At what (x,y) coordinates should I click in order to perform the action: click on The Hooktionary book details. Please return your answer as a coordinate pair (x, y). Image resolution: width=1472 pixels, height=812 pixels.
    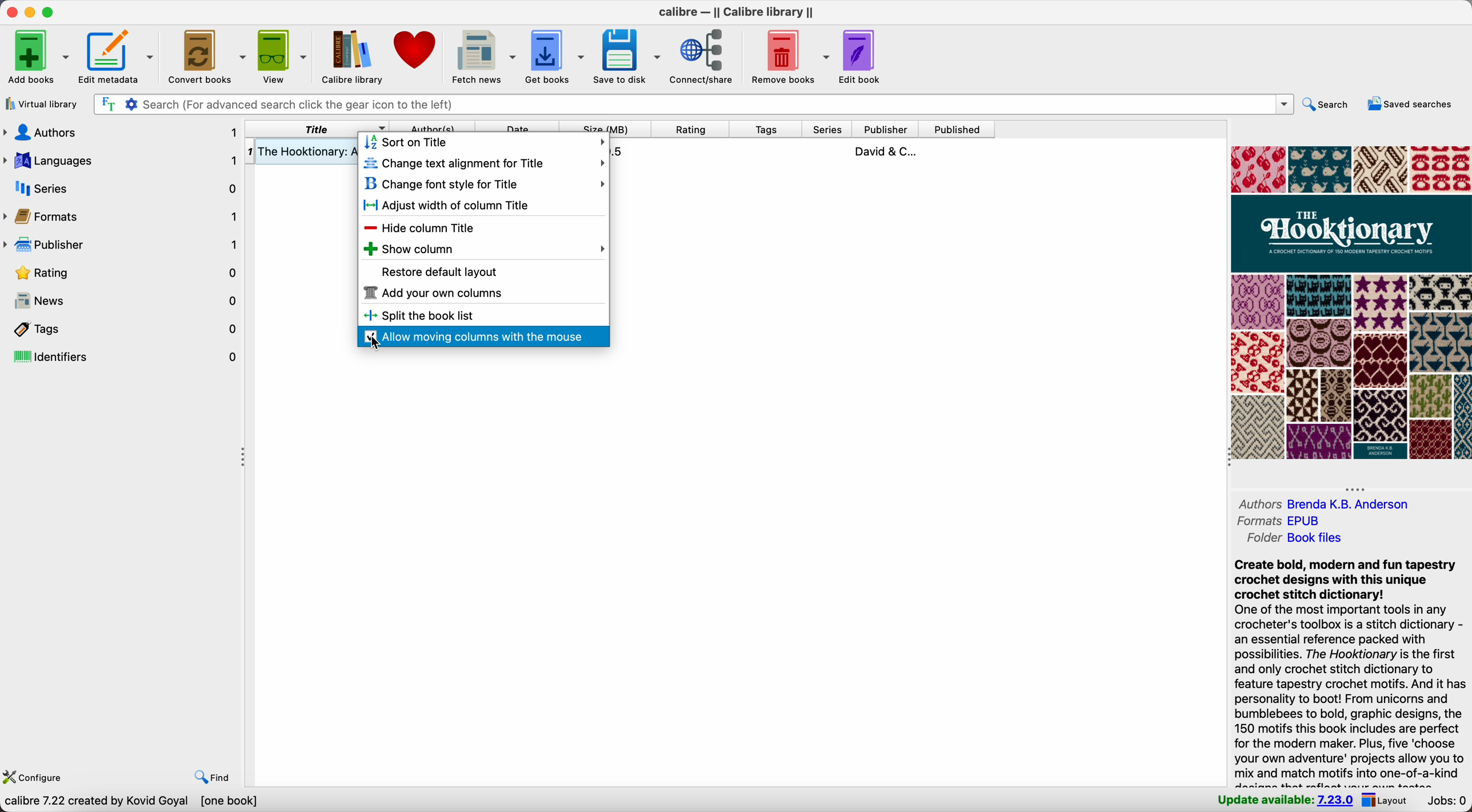
    Looking at the image, I should click on (301, 153).